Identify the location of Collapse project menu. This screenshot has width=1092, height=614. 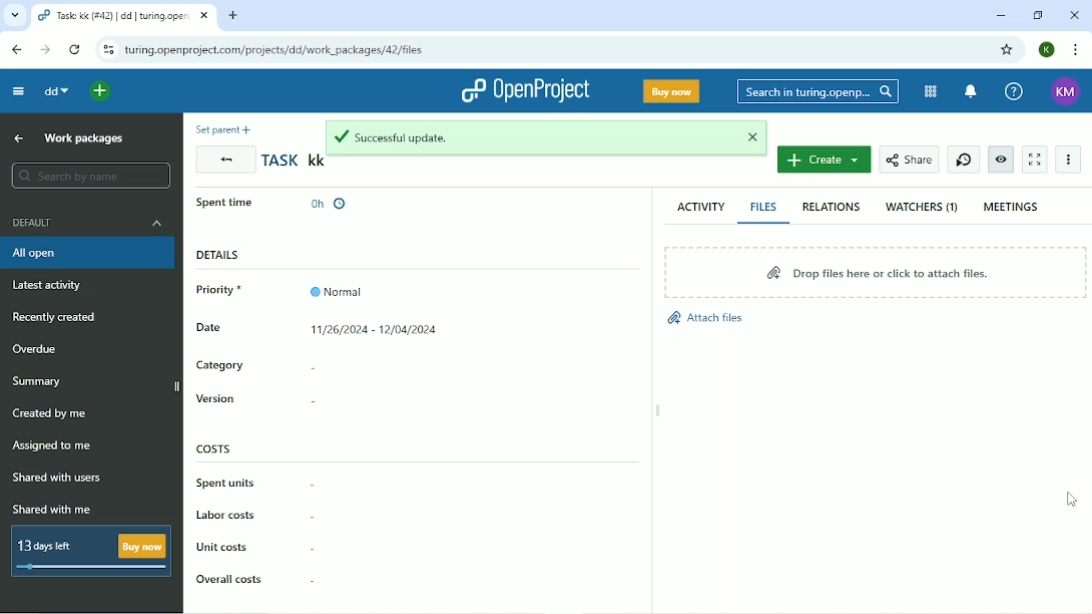
(19, 92).